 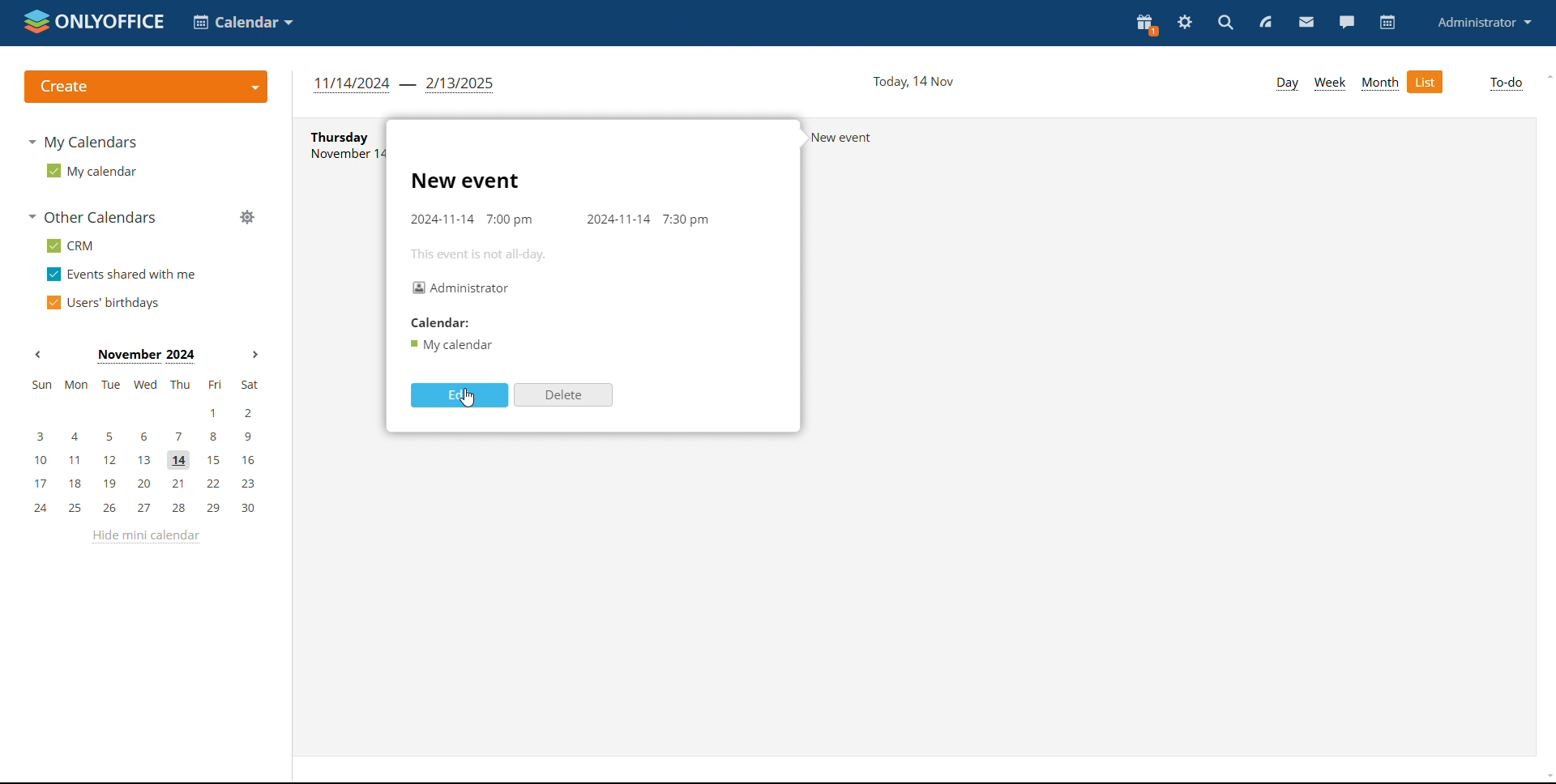 I want to click on event timing, so click(x=559, y=219).